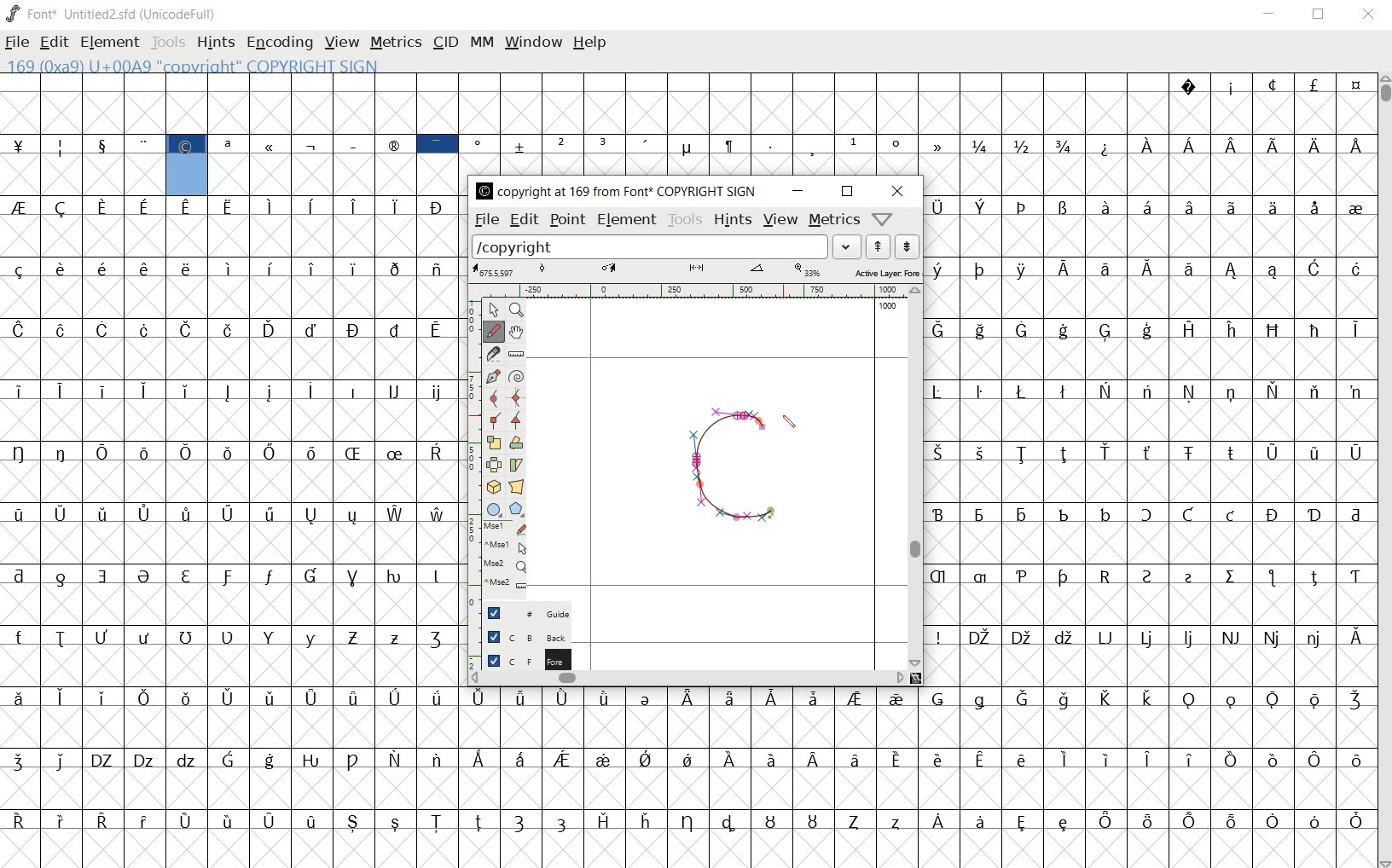 The image size is (1392, 868). I want to click on scale the selection, so click(494, 443).